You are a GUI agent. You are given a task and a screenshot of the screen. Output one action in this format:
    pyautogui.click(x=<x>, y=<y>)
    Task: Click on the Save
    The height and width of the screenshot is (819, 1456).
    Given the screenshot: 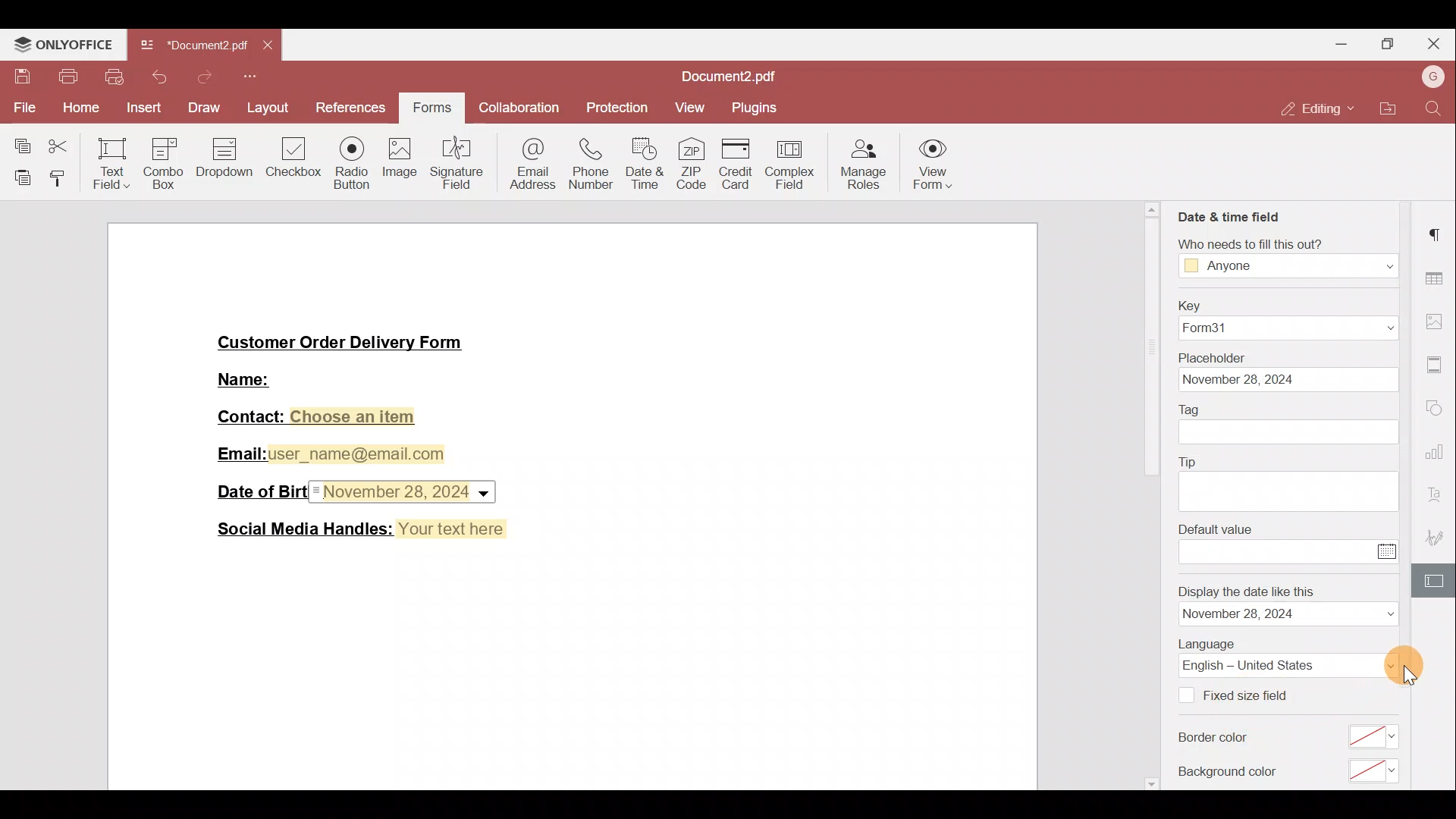 What is the action you would take?
    pyautogui.click(x=18, y=74)
    